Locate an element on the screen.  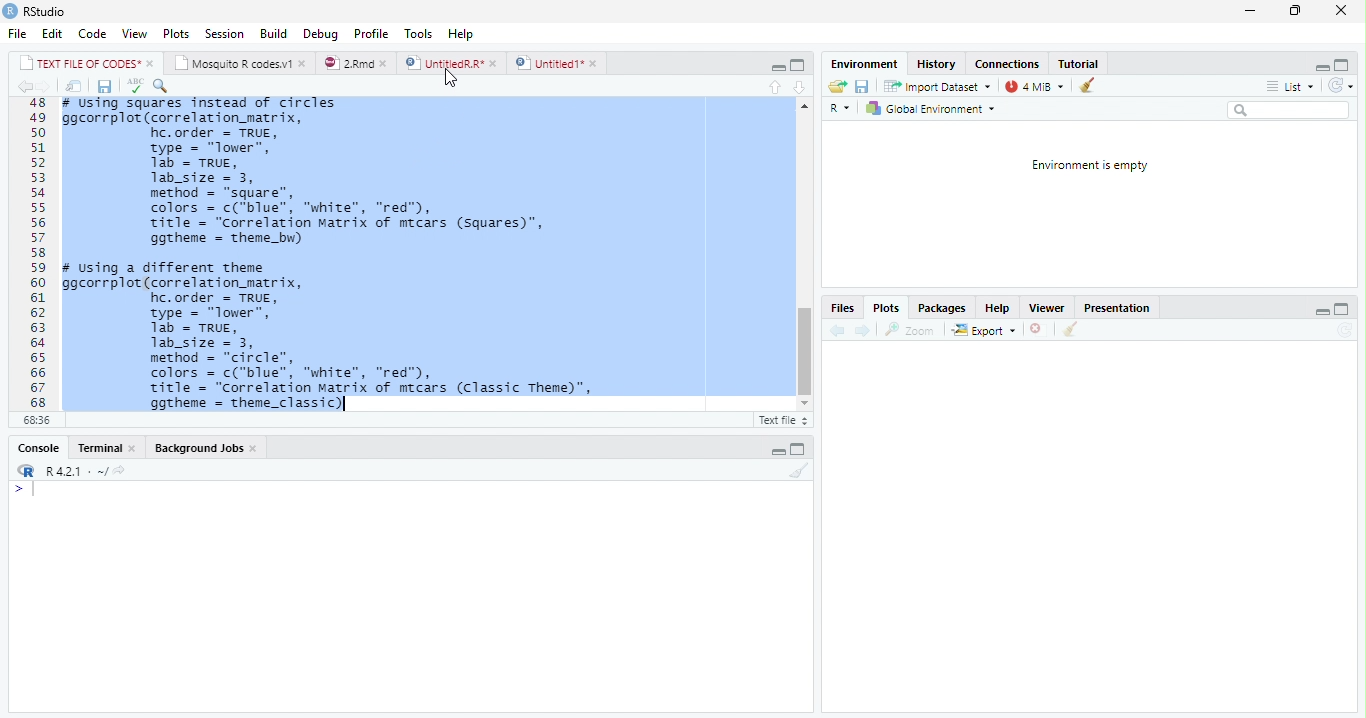
 History is located at coordinates (938, 66).